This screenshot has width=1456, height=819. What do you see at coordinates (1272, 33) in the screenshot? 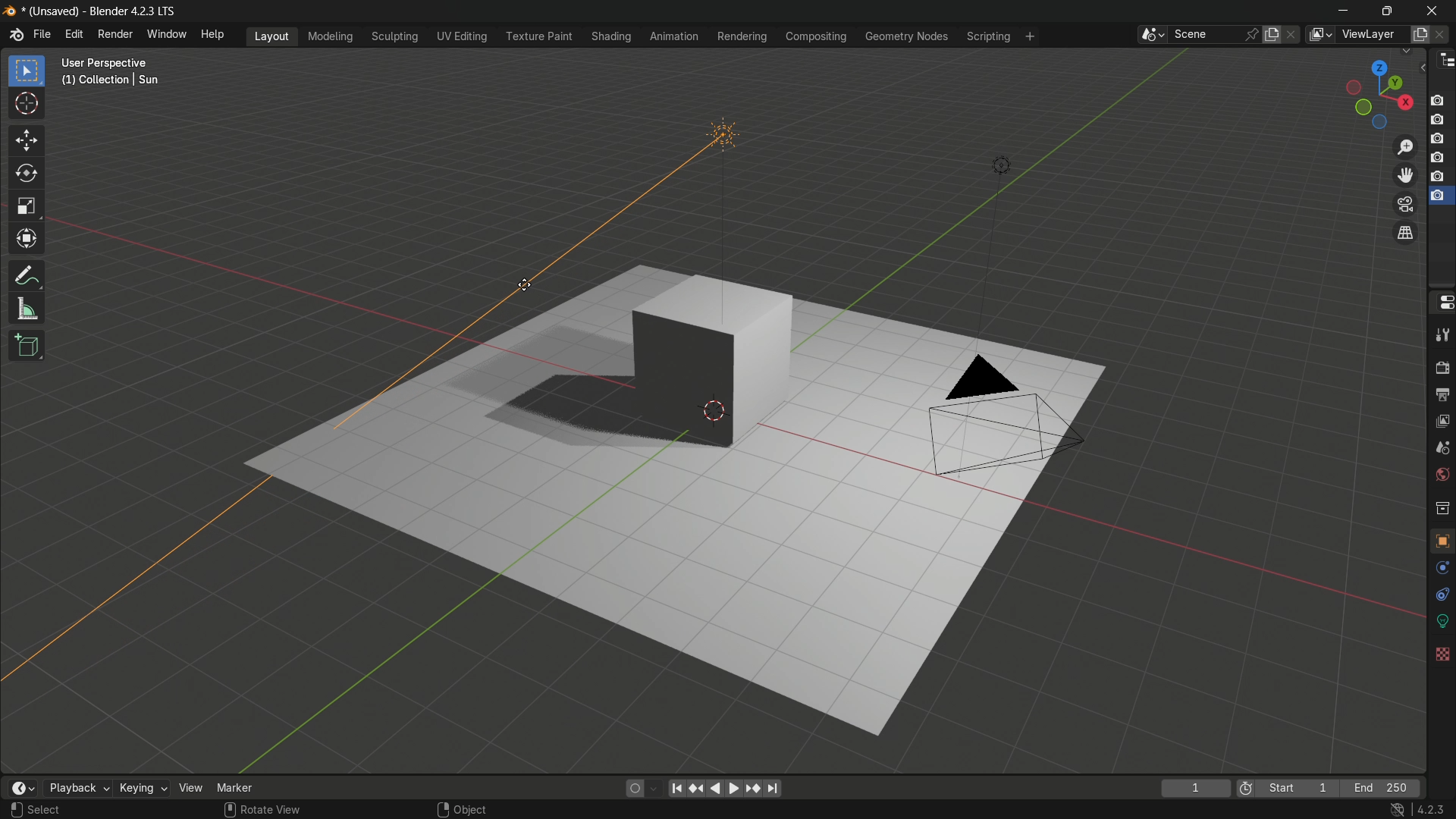
I see `new scene` at bounding box center [1272, 33].